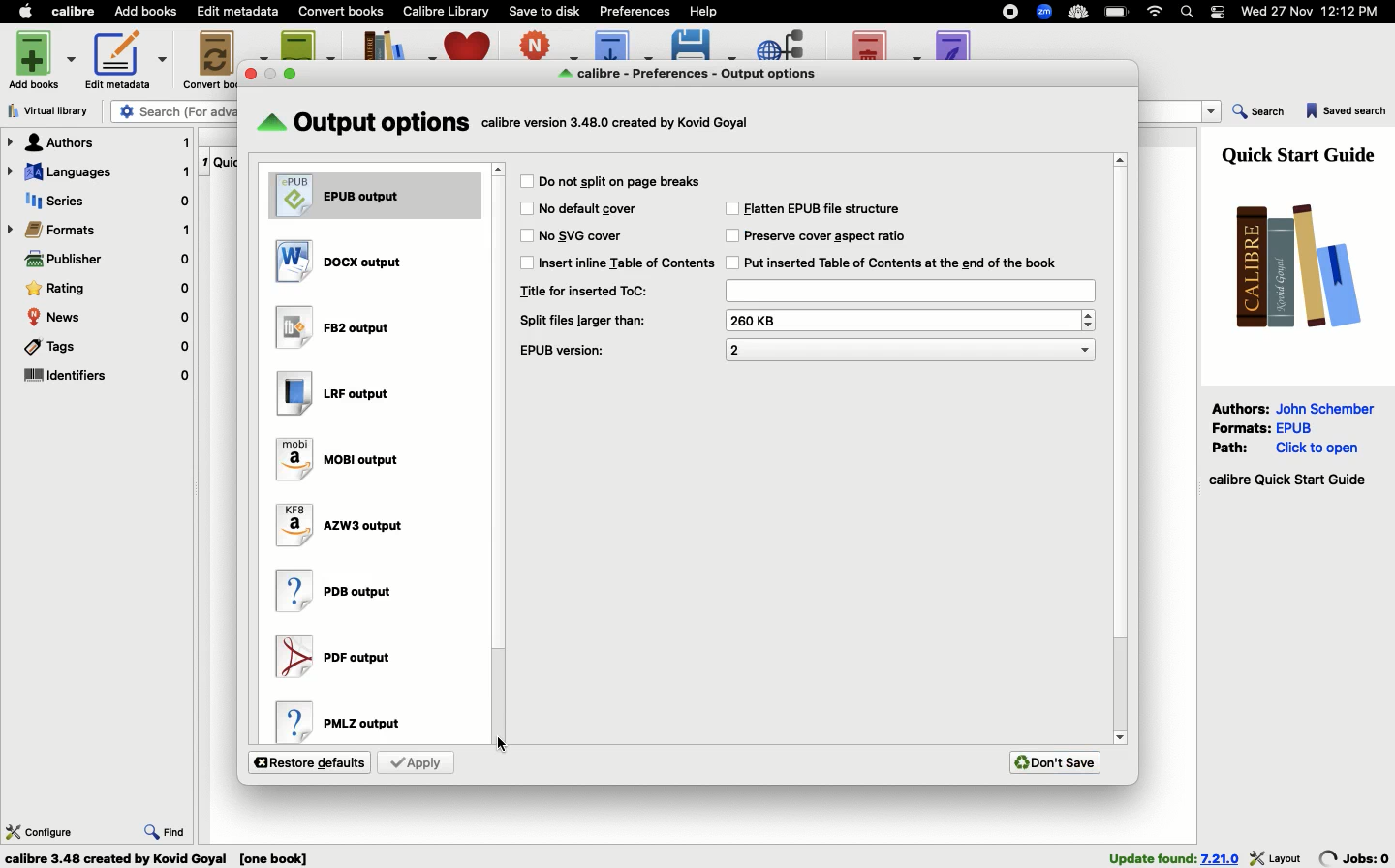 This screenshot has width=1395, height=868. What do you see at coordinates (1317, 449) in the screenshot?
I see `click to open` at bounding box center [1317, 449].